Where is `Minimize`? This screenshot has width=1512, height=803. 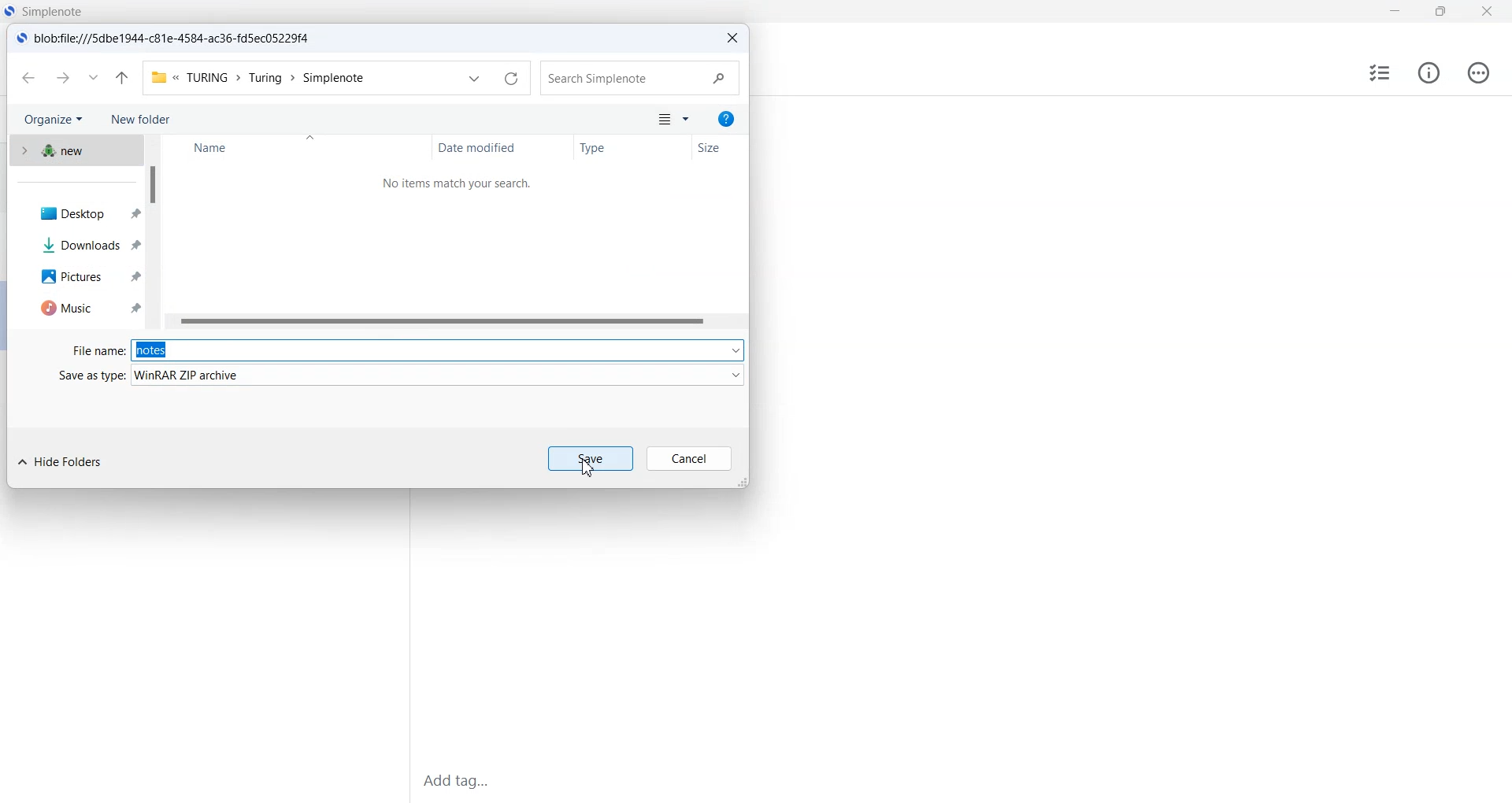
Minimize is located at coordinates (1395, 12).